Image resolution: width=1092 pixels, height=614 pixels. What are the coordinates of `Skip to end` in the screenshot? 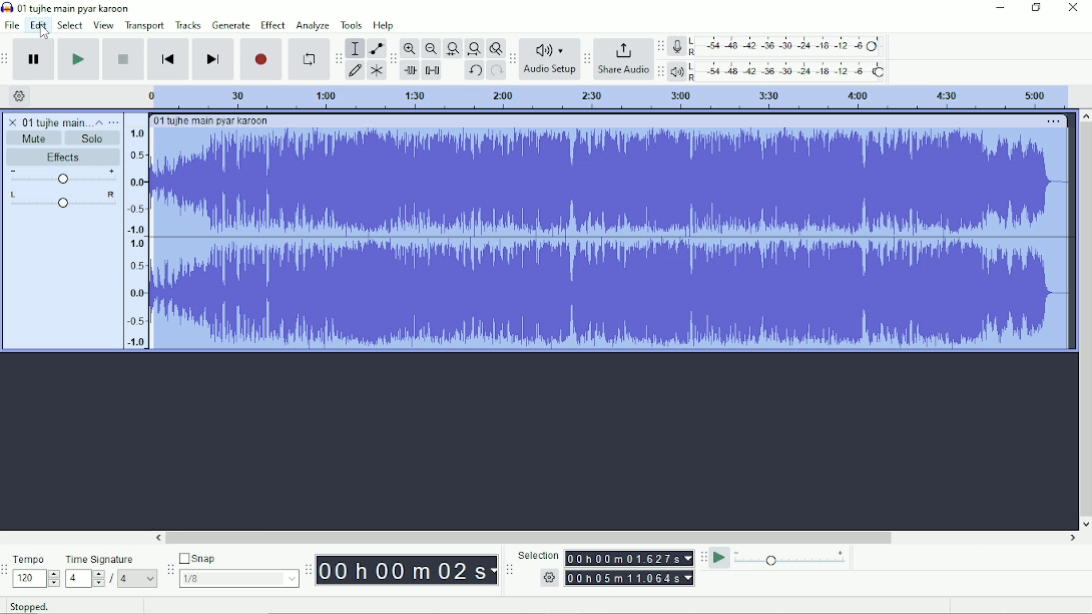 It's located at (213, 59).